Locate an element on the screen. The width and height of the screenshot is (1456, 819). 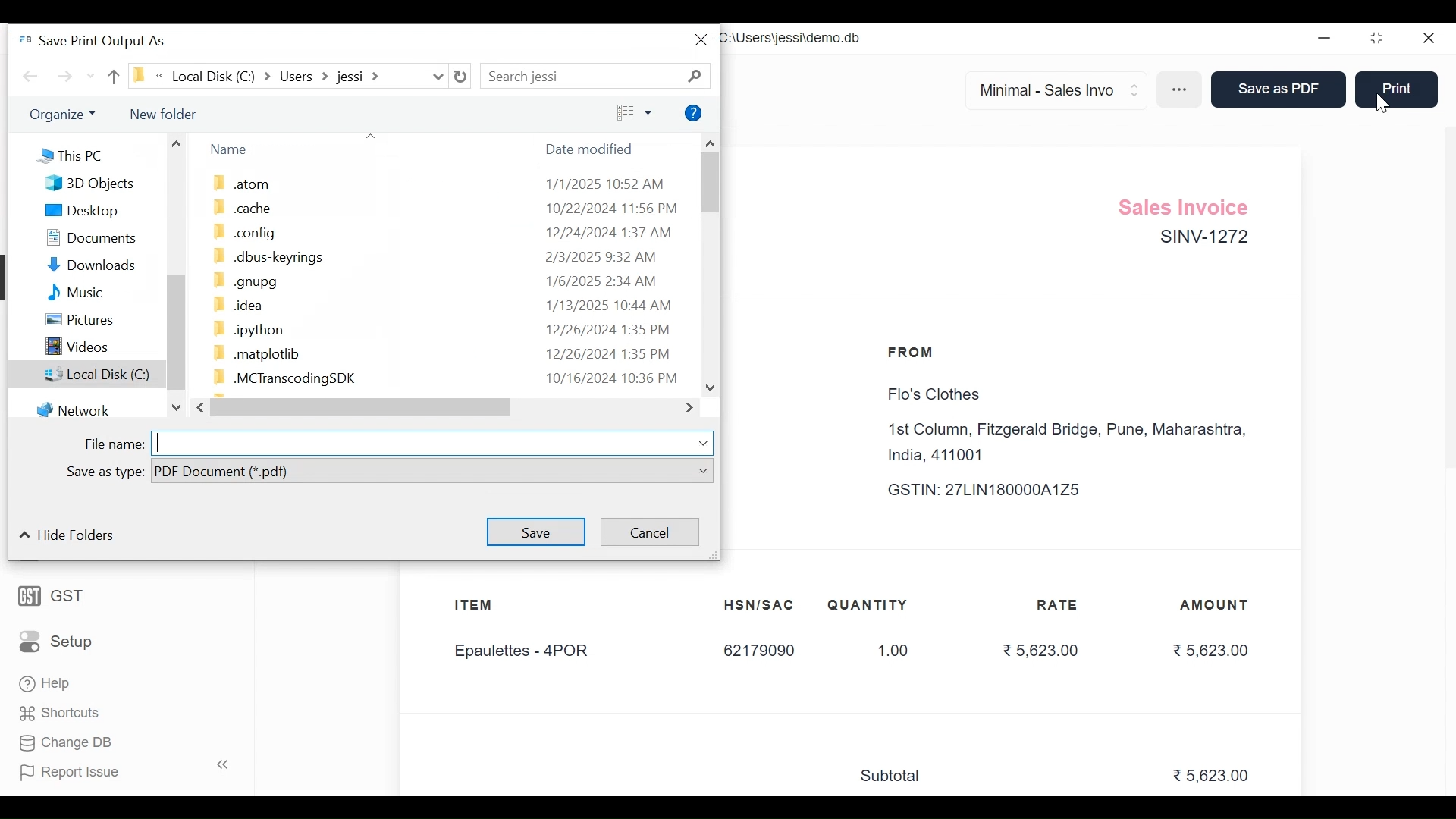
Back is located at coordinates (32, 77).